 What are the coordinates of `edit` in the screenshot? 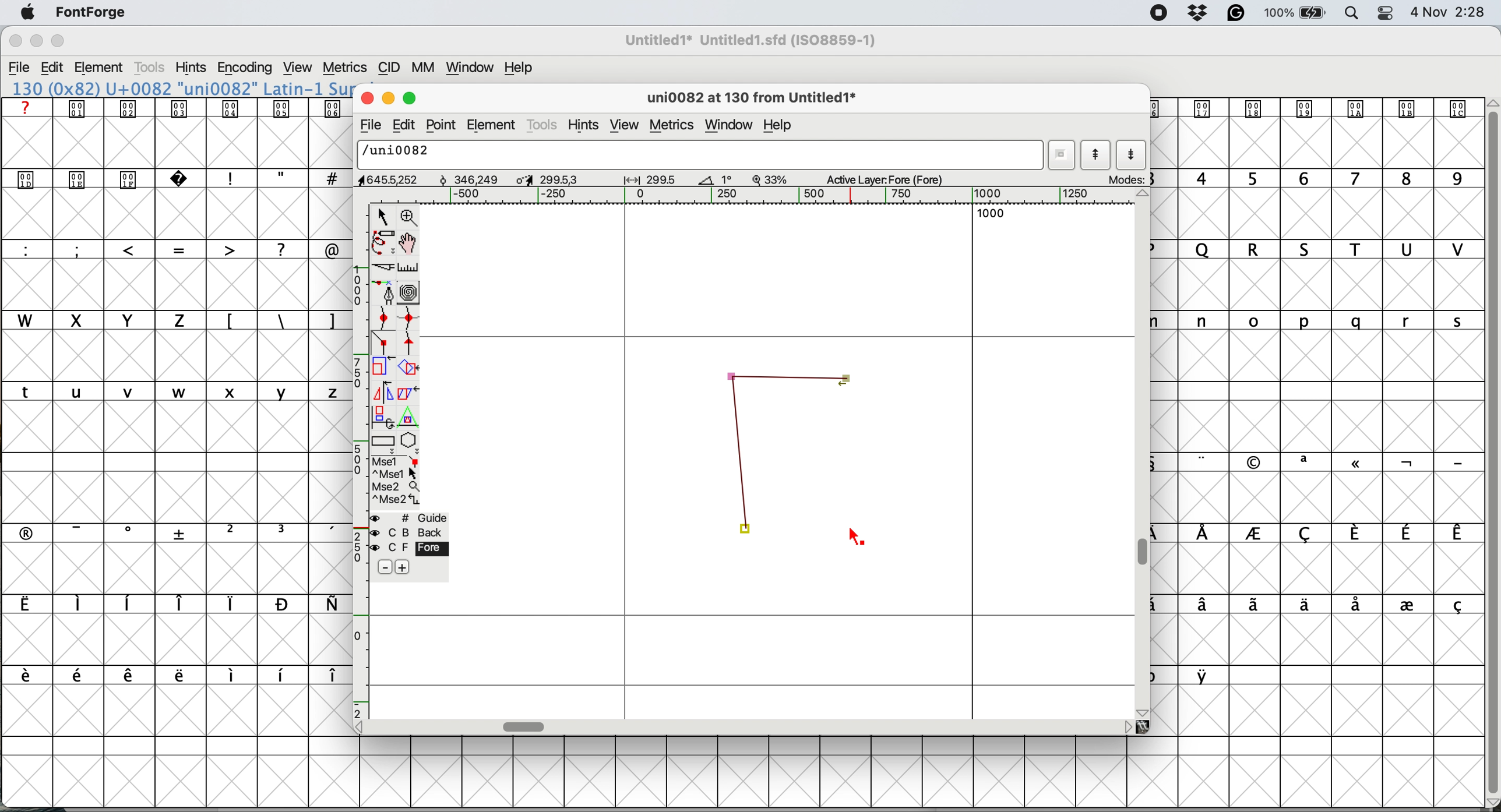 It's located at (401, 126).